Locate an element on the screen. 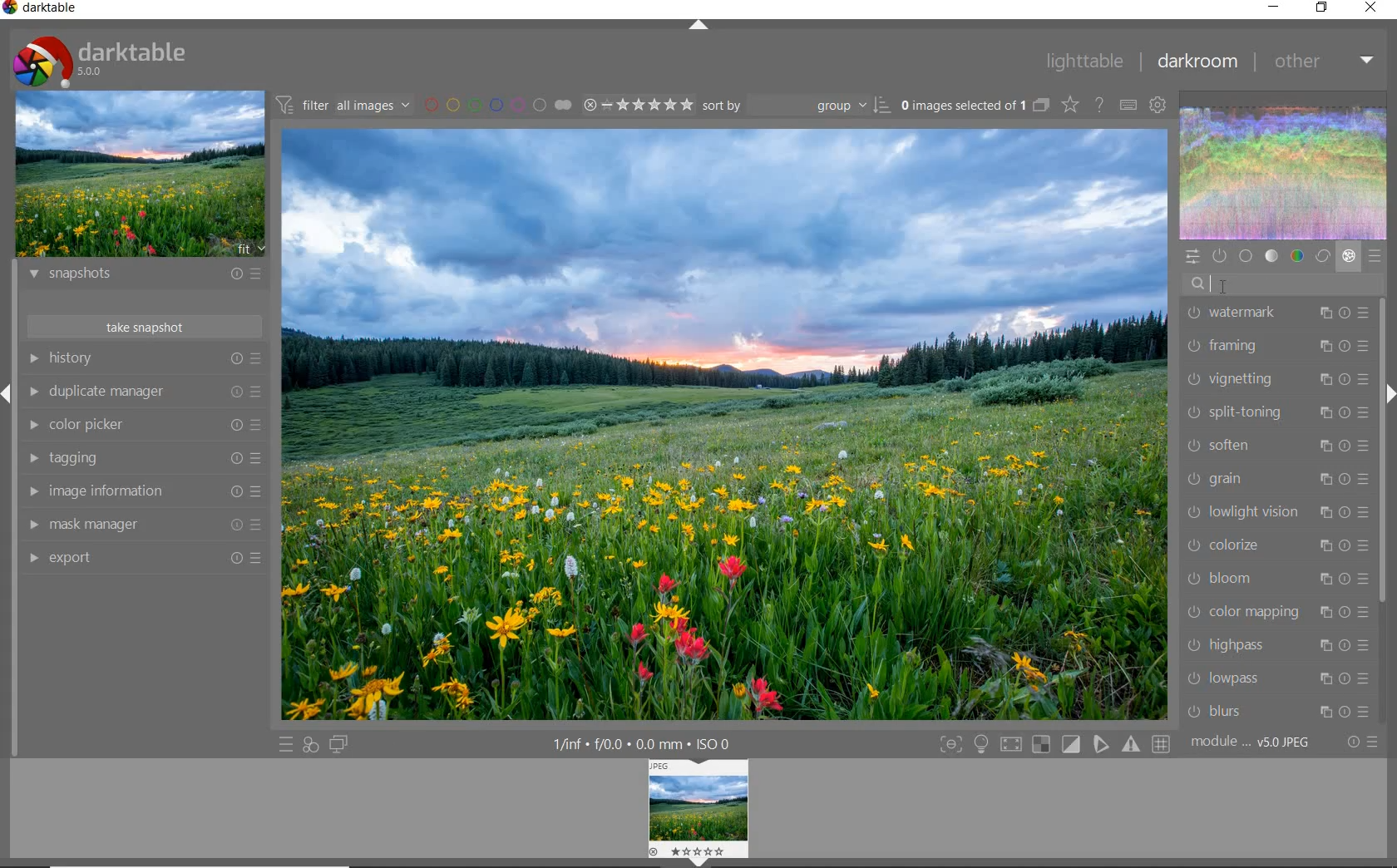 This screenshot has width=1397, height=868. color mapping is located at coordinates (1275, 612).